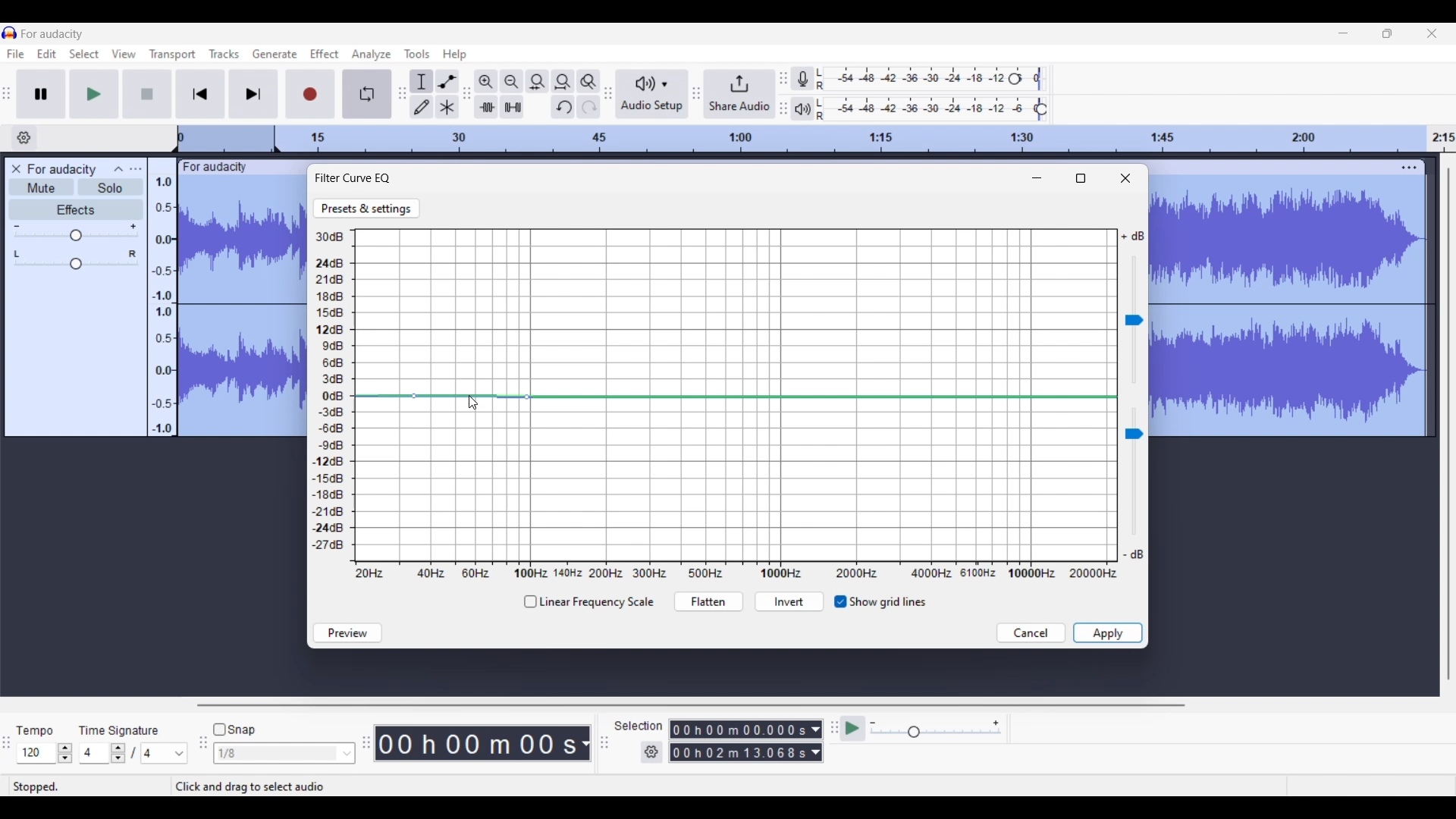  I want to click on Show interface in a smaller tab, so click(1387, 33).